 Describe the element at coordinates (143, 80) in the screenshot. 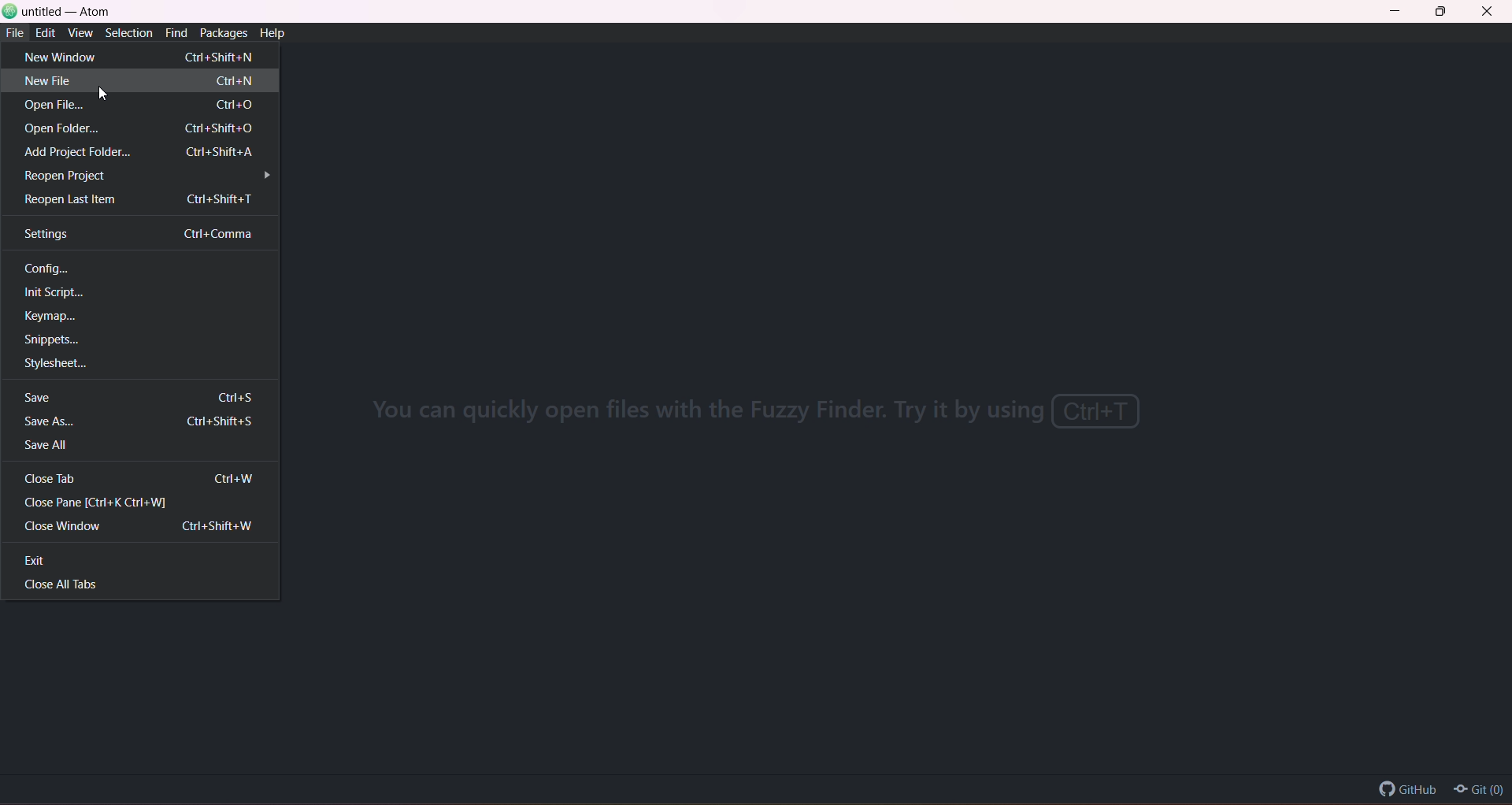

I see `New File Ctrl+N` at that location.